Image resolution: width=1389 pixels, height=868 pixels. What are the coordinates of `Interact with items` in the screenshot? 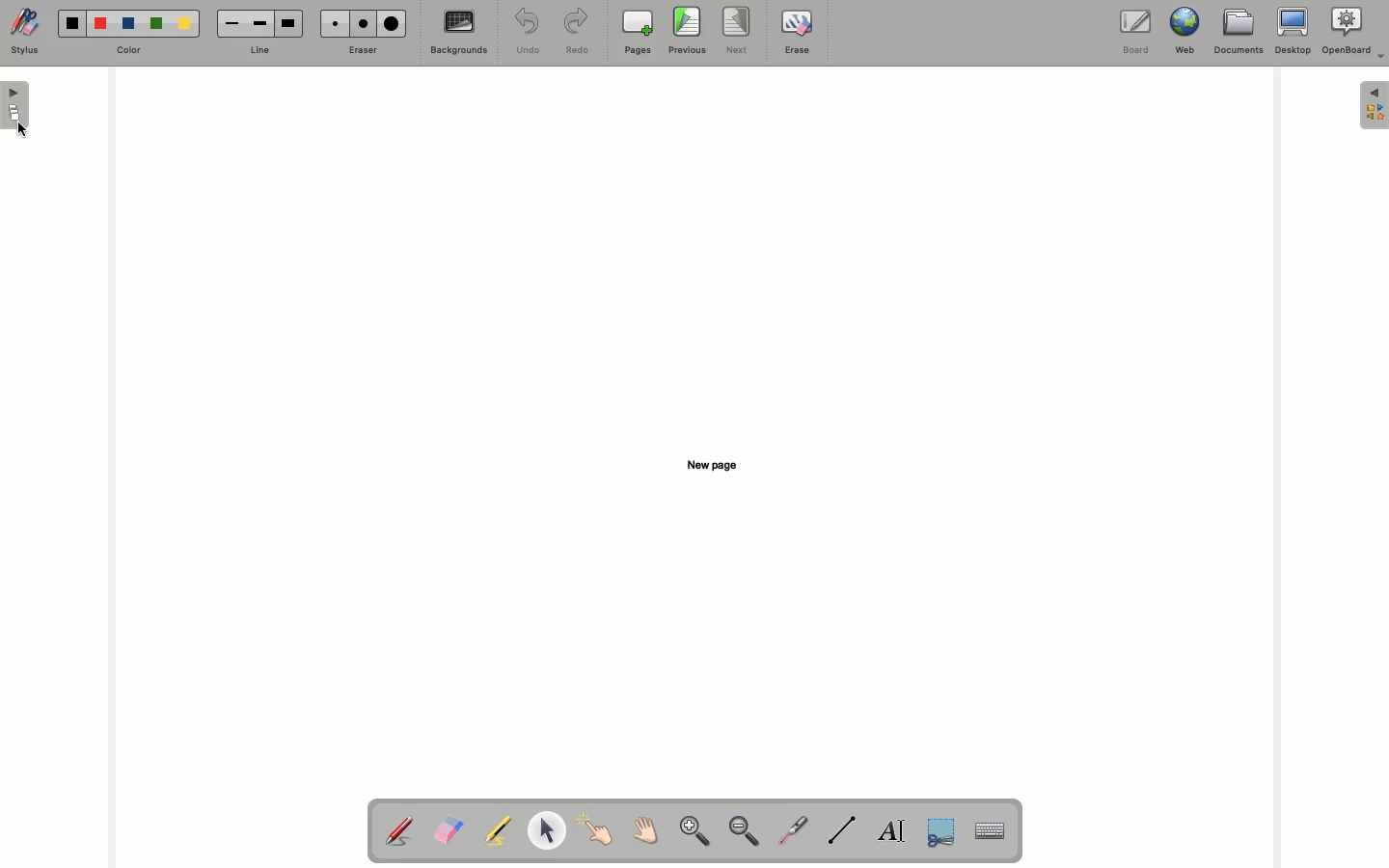 It's located at (594, 829).